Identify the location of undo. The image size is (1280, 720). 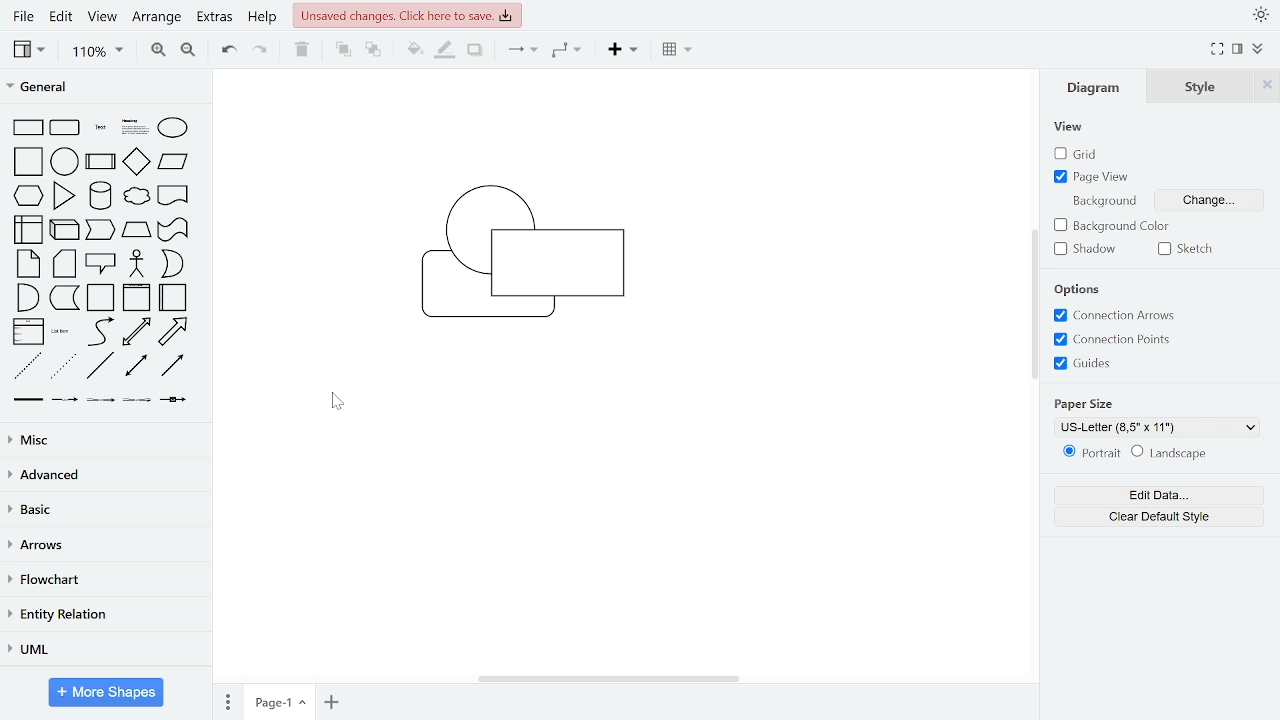
(228, 53).